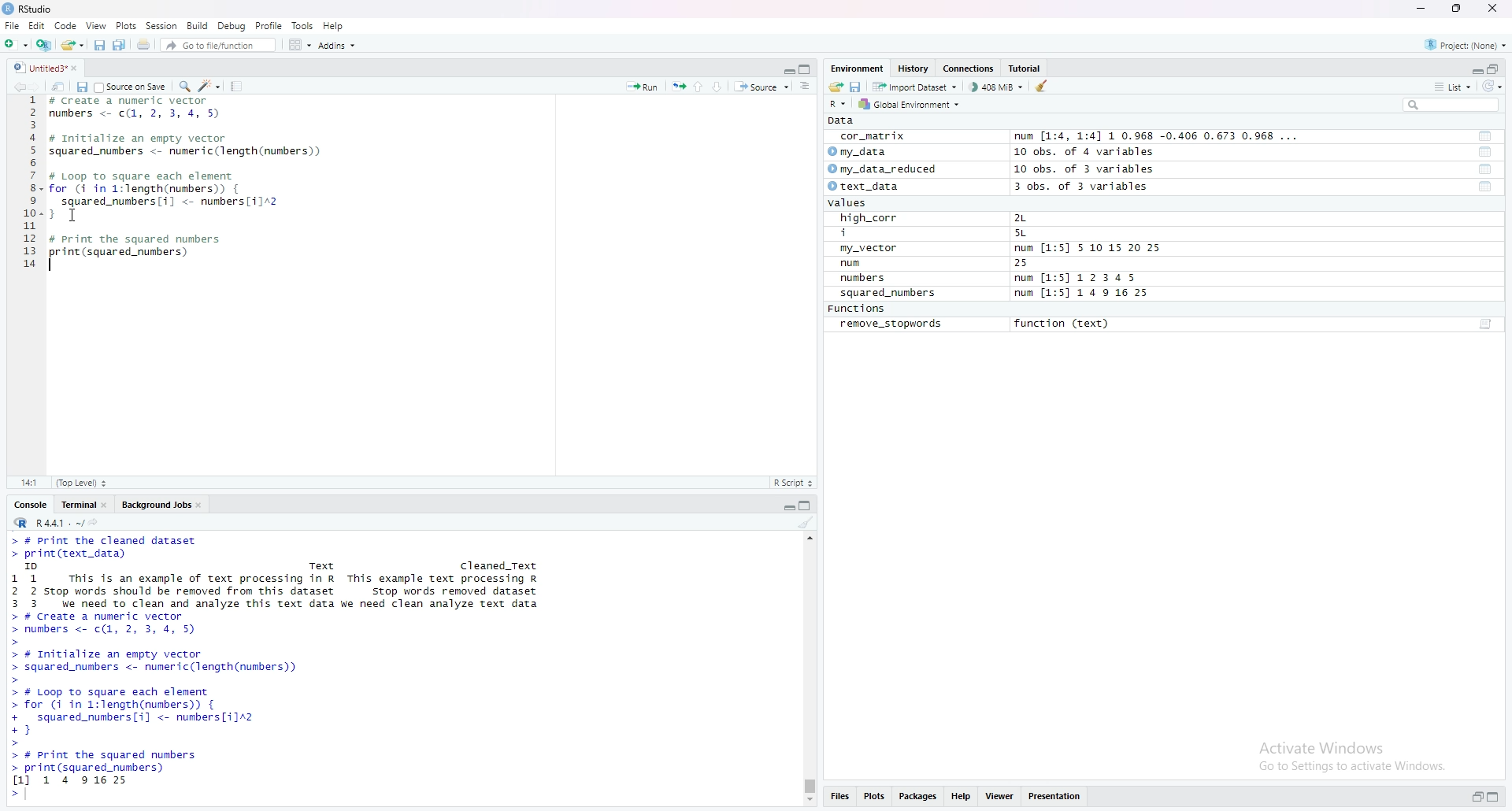  I want to click on R Script, so click(793, 482).